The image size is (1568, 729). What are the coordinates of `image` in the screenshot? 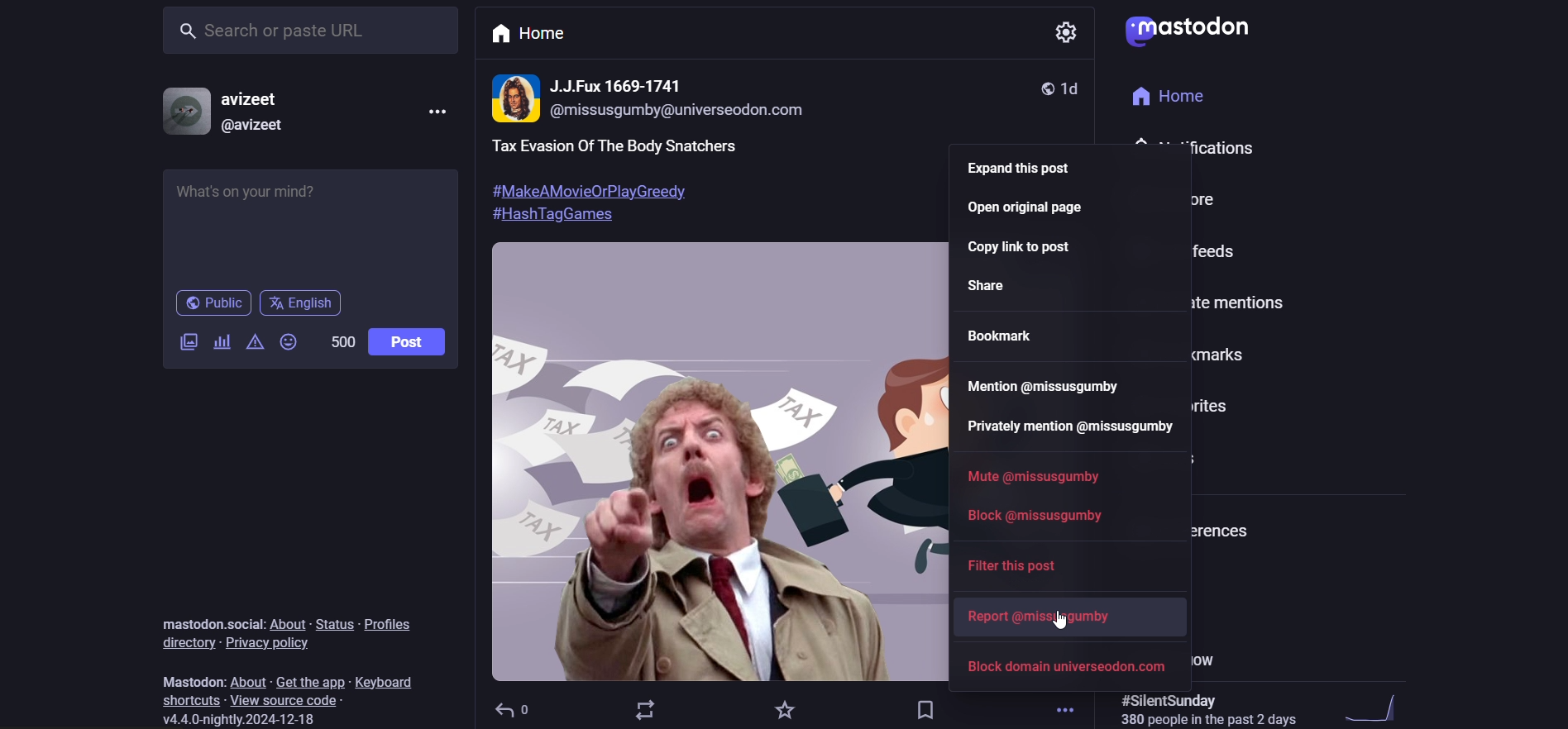 It's located at (721, 468).